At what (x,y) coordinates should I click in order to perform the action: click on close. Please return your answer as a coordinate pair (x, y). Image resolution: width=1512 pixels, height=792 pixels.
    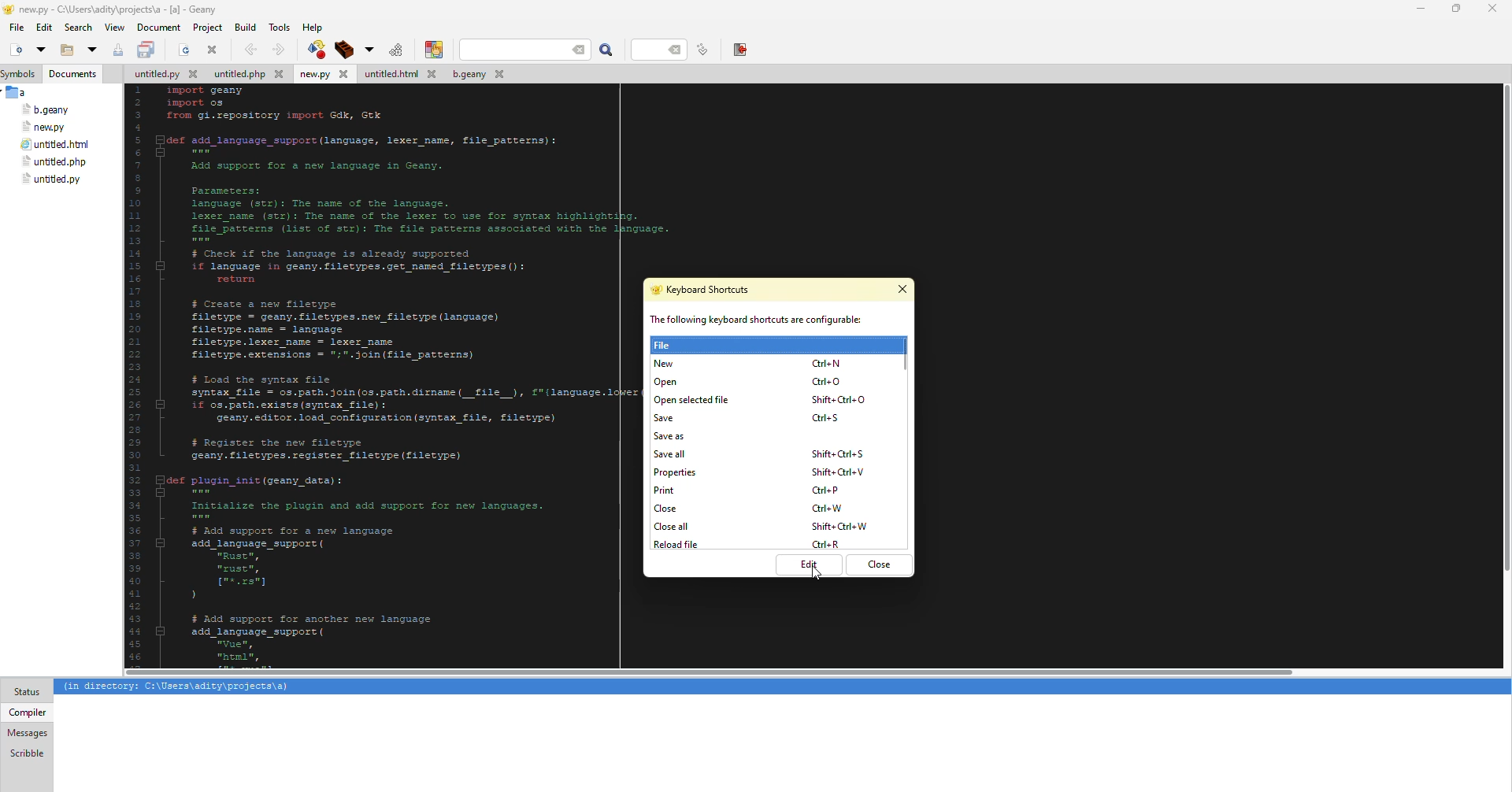
    Looking at the image, I should click on (1492, 9).